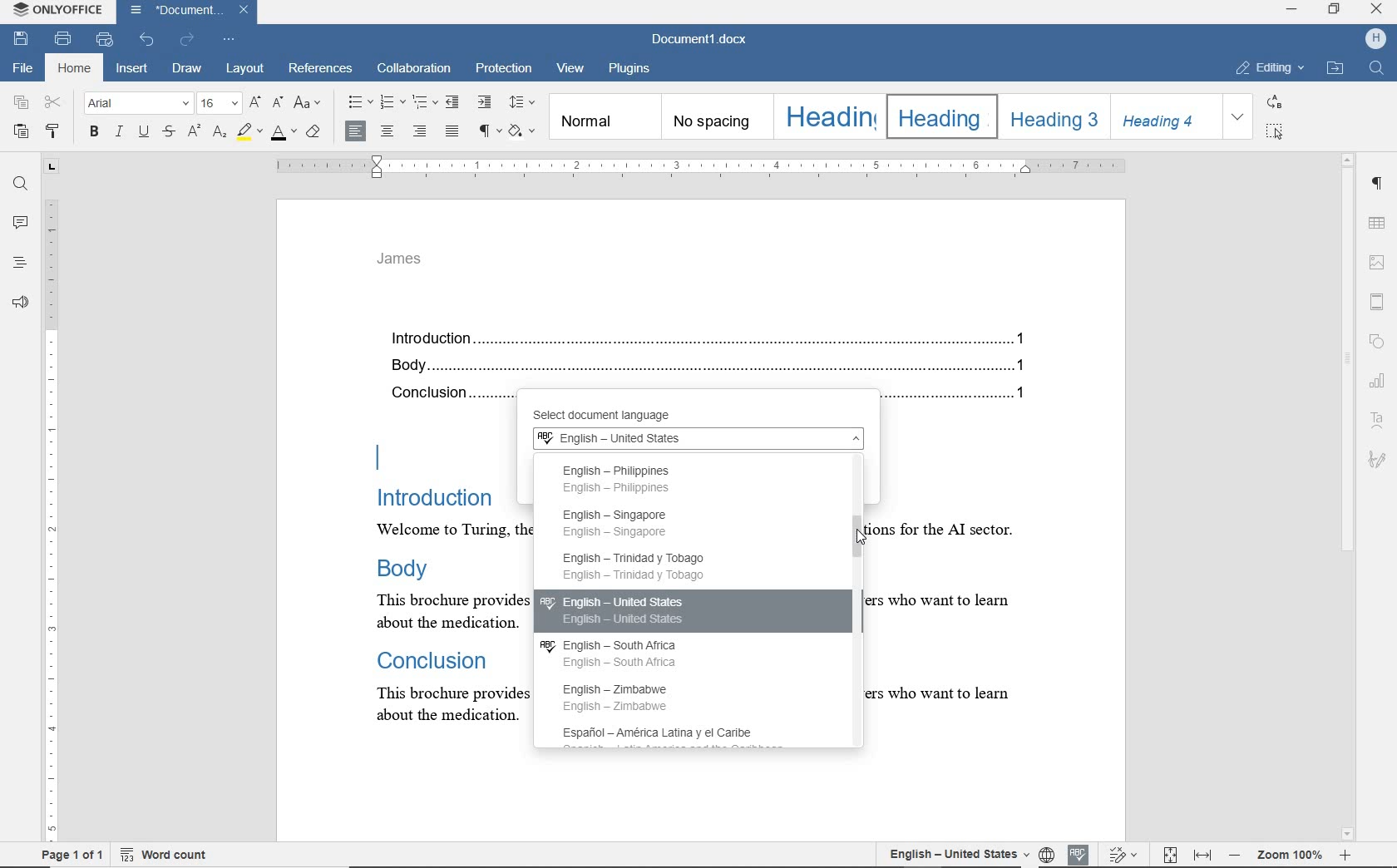 The image size is (1397, 868). I want to click on 1, so click(1020, 397).